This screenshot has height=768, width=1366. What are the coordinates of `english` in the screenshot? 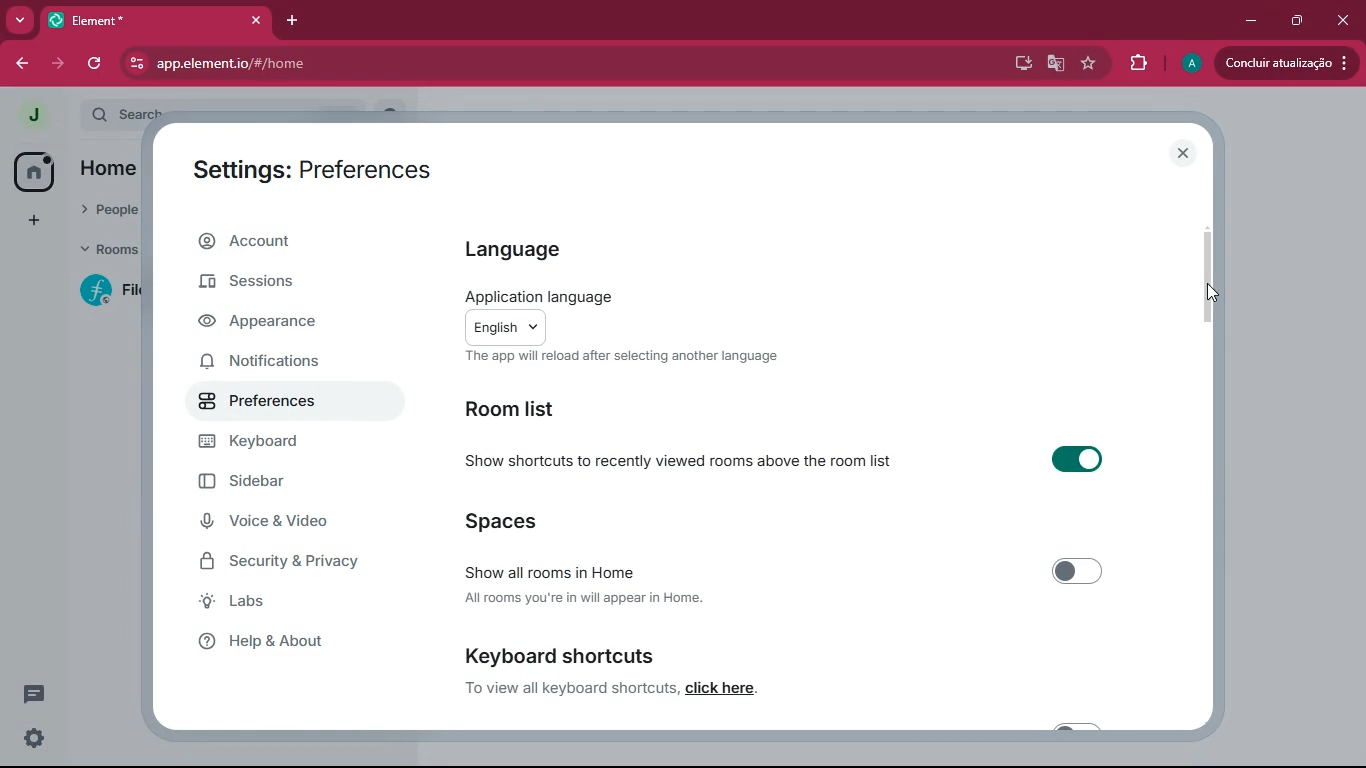 It's located at (505, 327).